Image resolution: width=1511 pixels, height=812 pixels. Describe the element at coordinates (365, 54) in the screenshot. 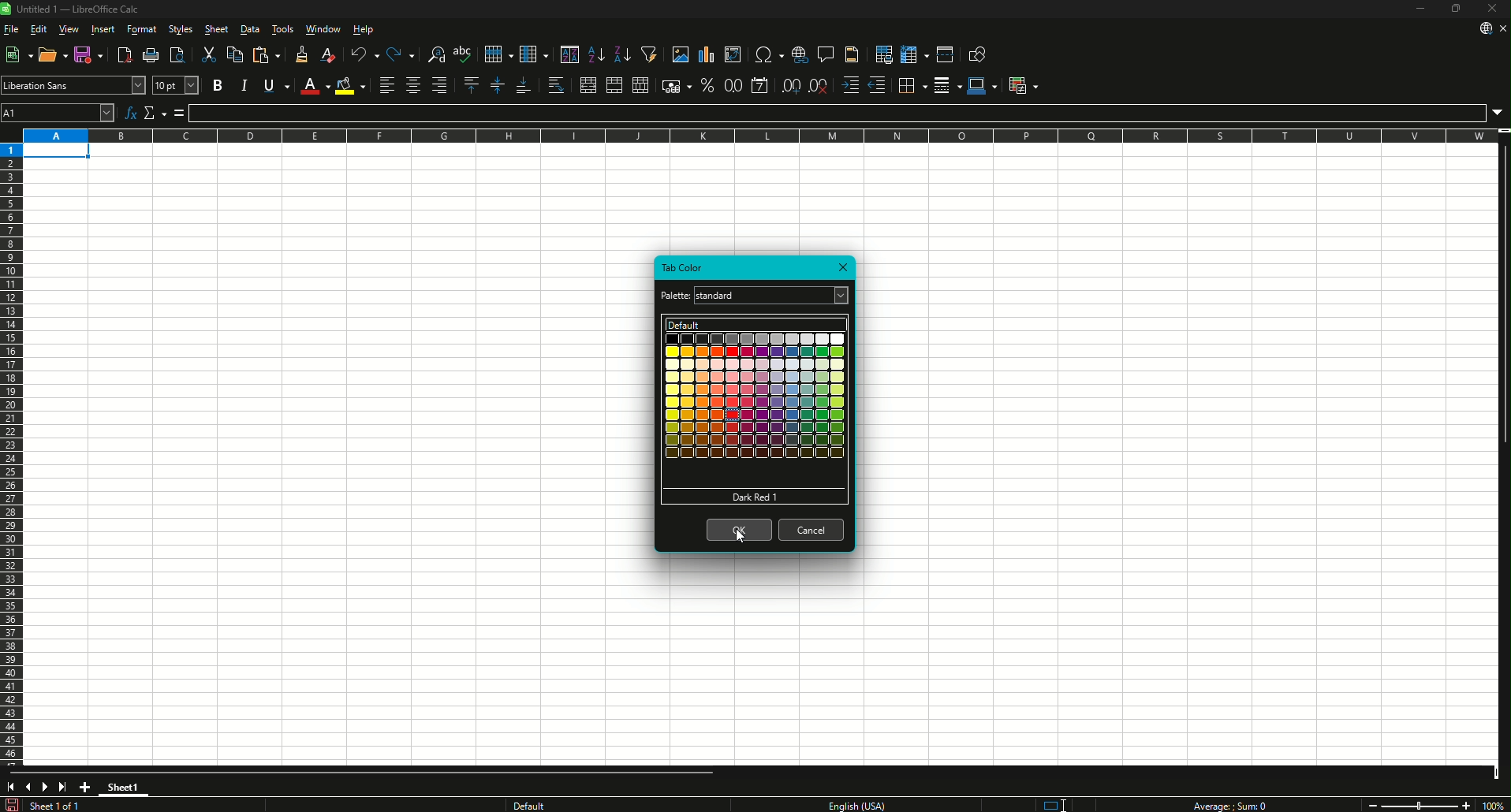

I see `Undo` at that location.